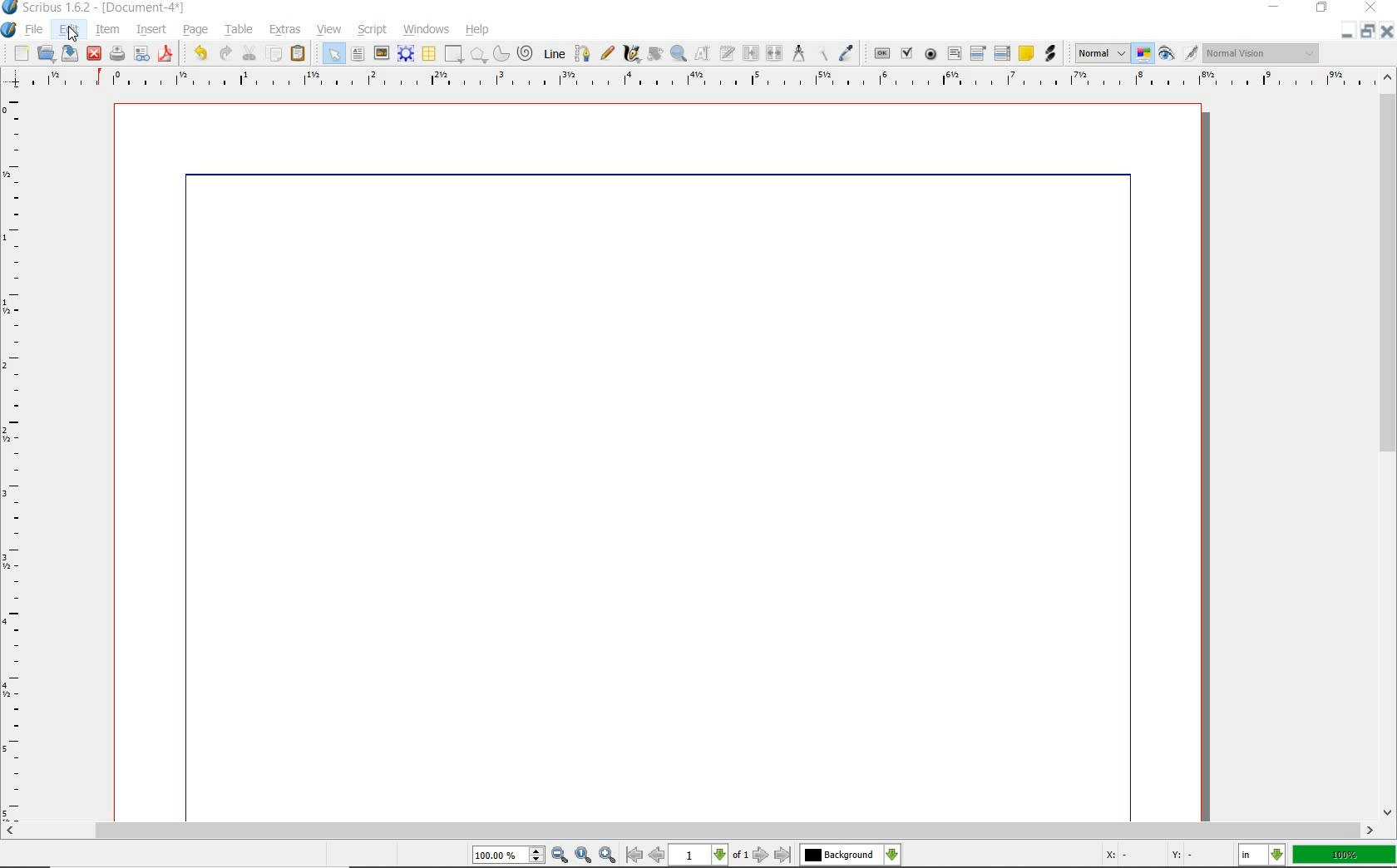 This screenshot has height=868, width=1397. I want to click on scrollbar, so click(690, 831).